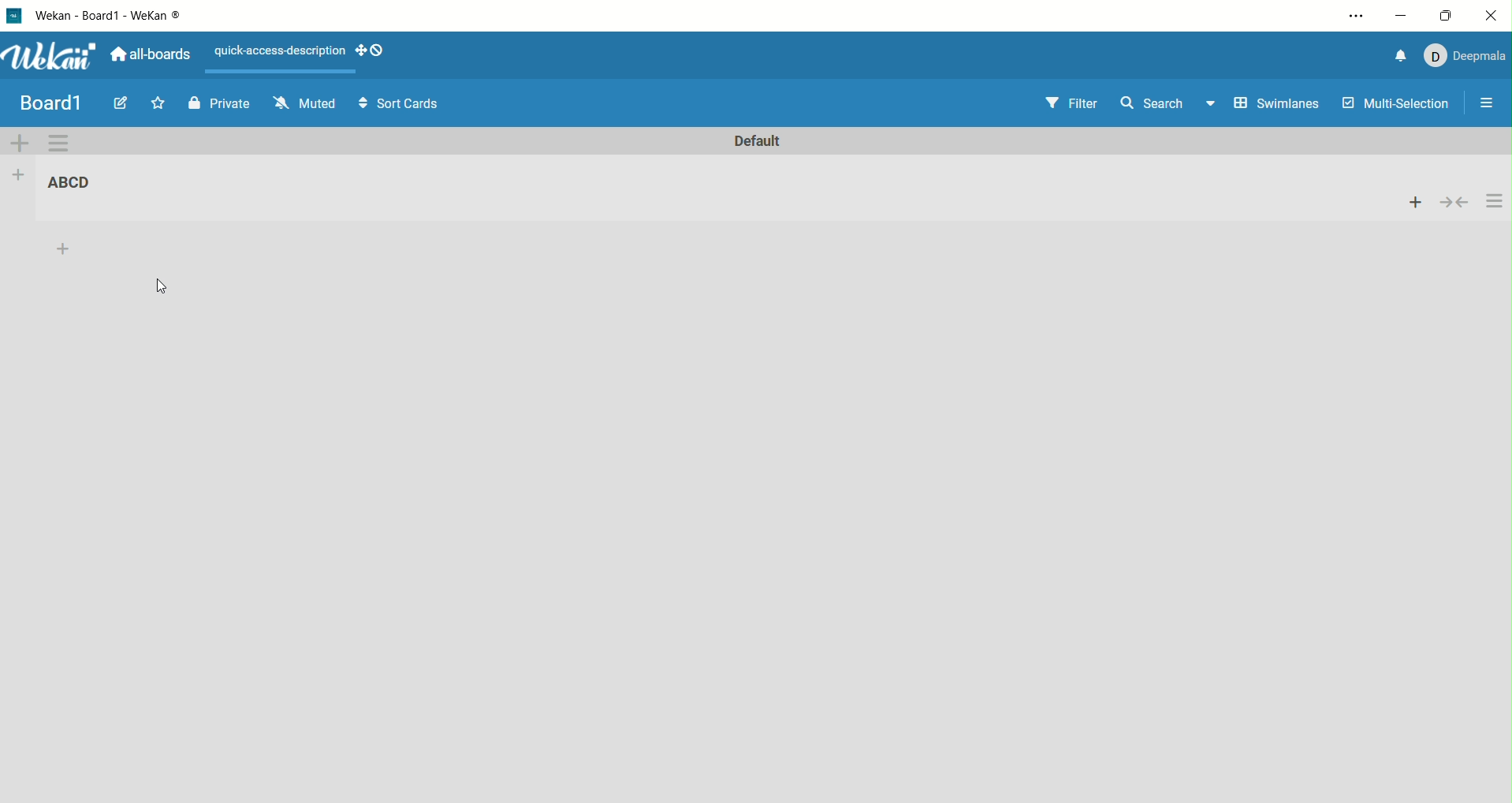  What do you see at coordinates (1356, 16) in the screenshot?
I see `settings and more` at bounding box center [1356, 16].